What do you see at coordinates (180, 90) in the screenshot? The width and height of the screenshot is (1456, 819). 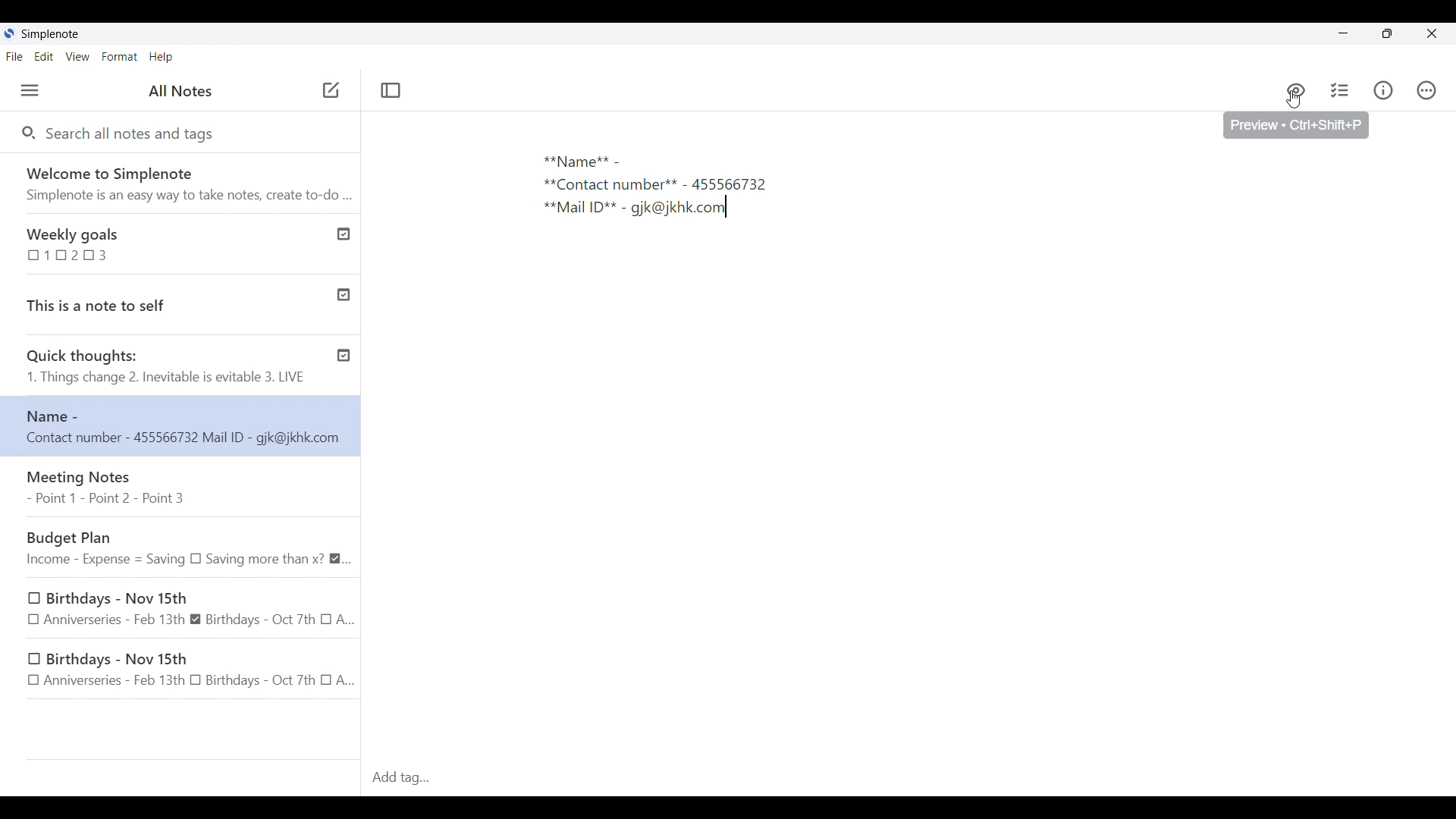 I see `Title of left panel` at bounding box center [180, 90].